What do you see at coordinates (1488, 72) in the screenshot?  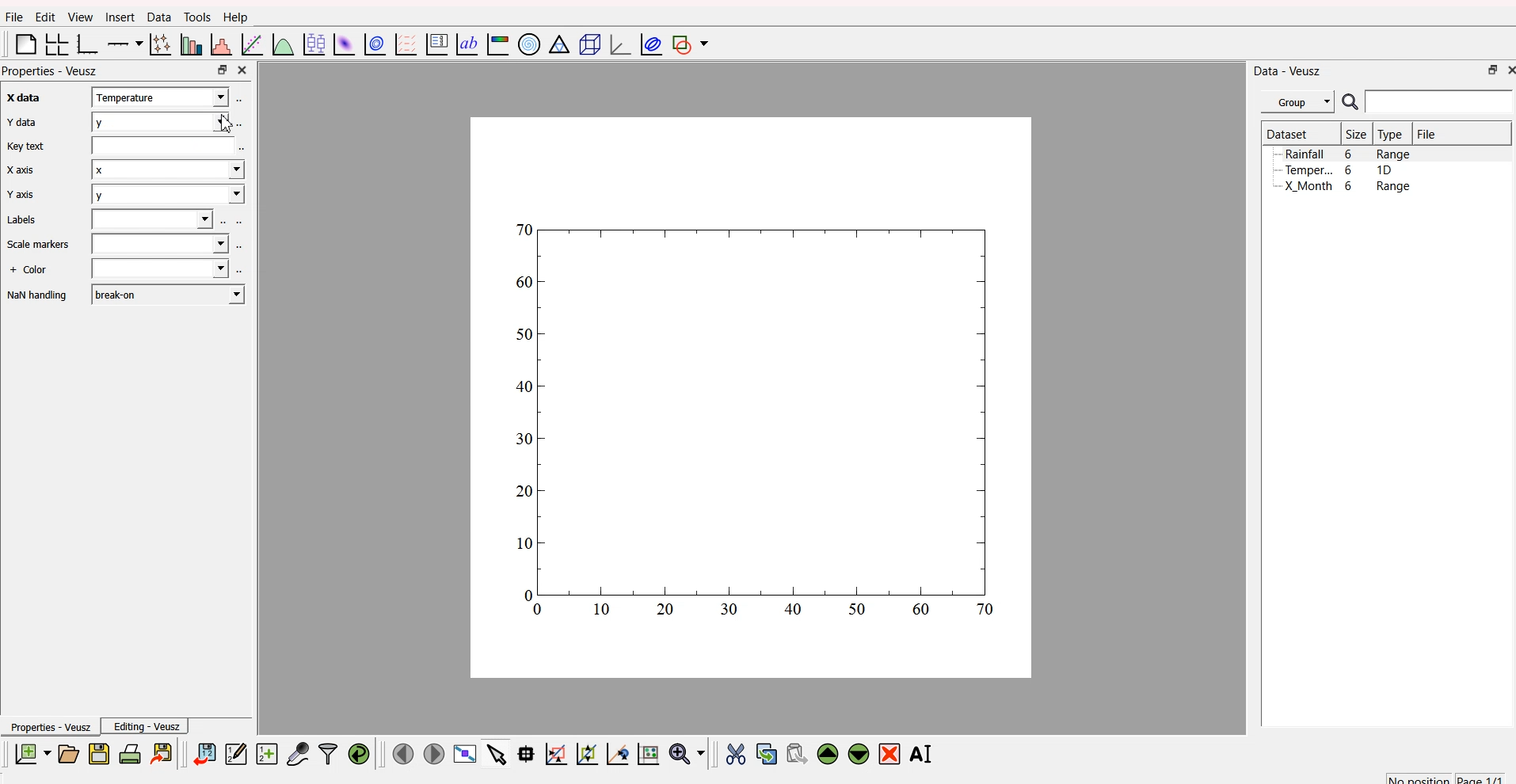 I see `maximize` at bounding box center [1488, 72].